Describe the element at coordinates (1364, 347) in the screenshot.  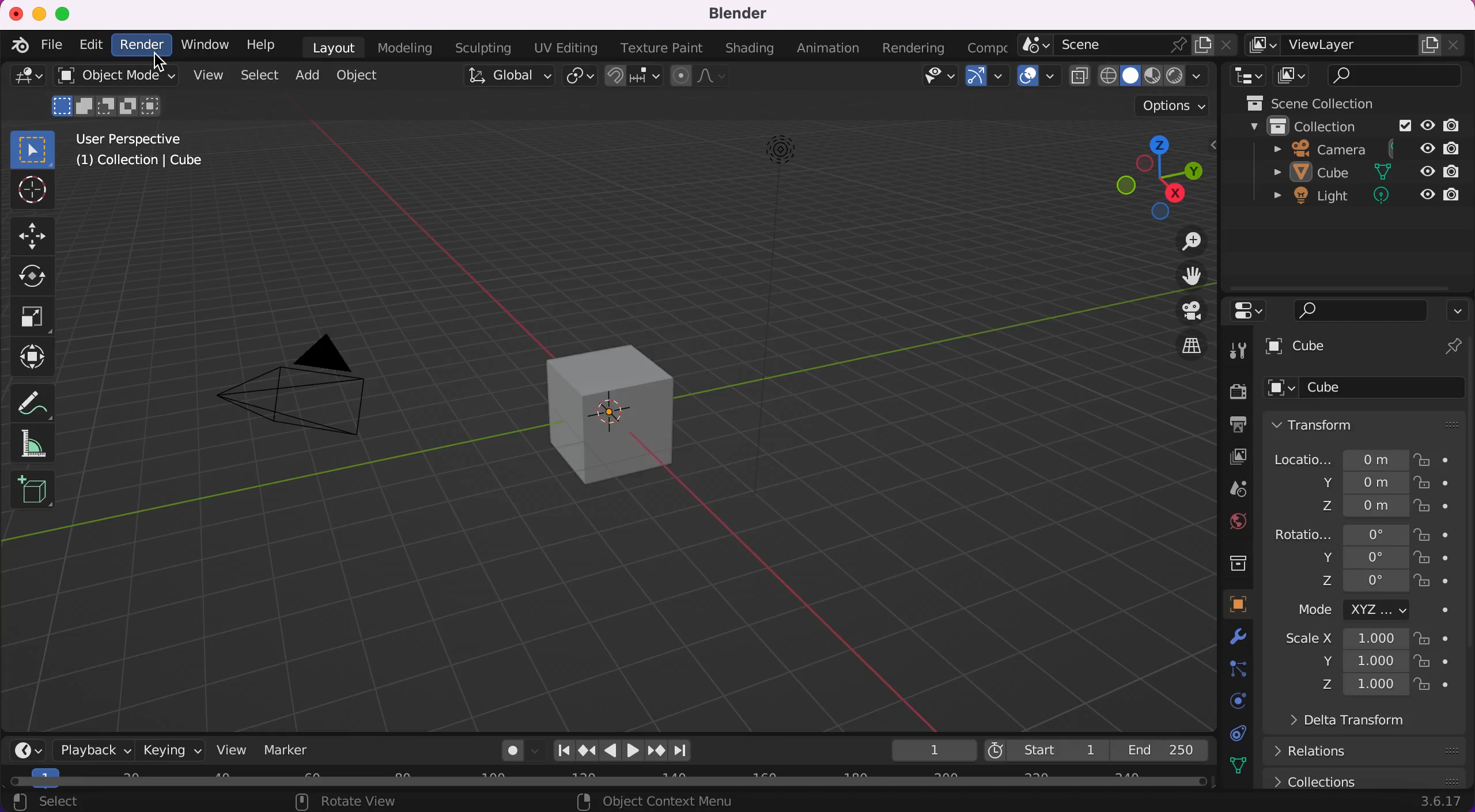
I see `cube` at that location.